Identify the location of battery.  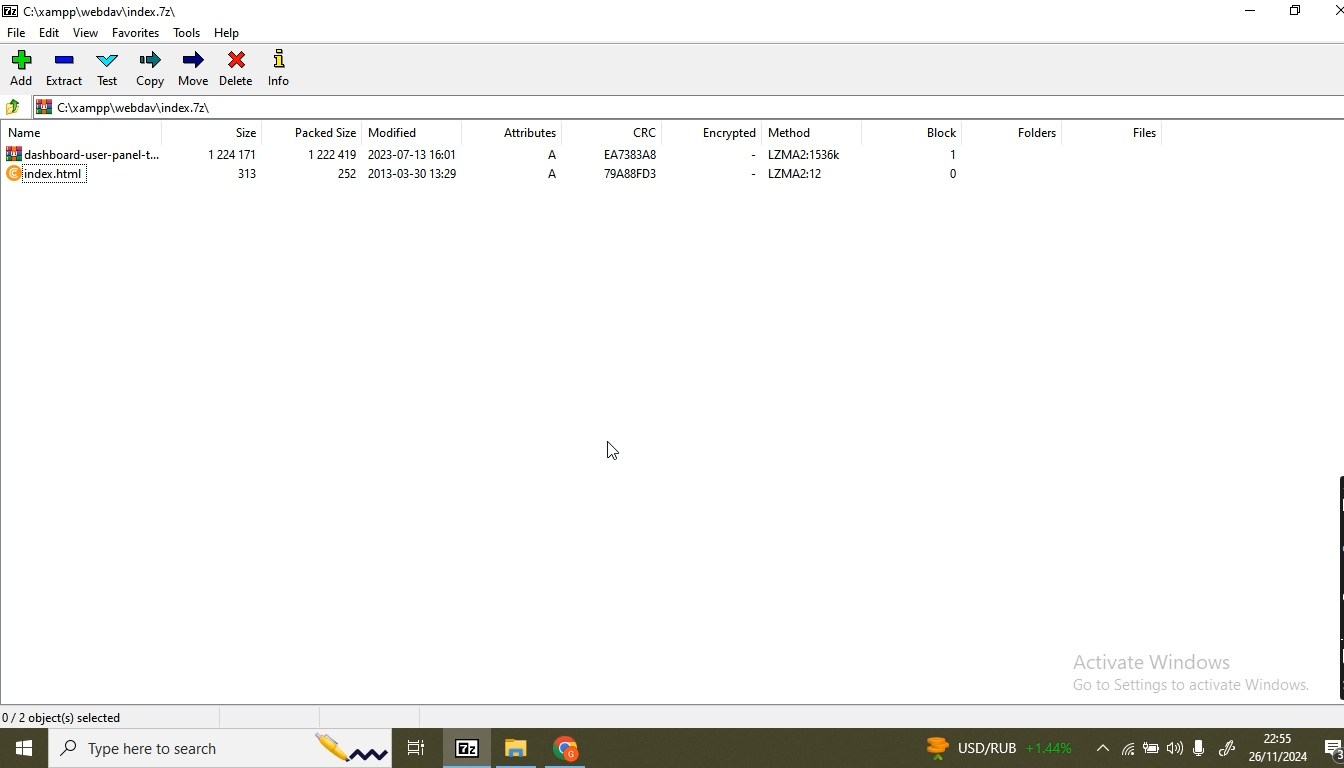
(1152, 751).